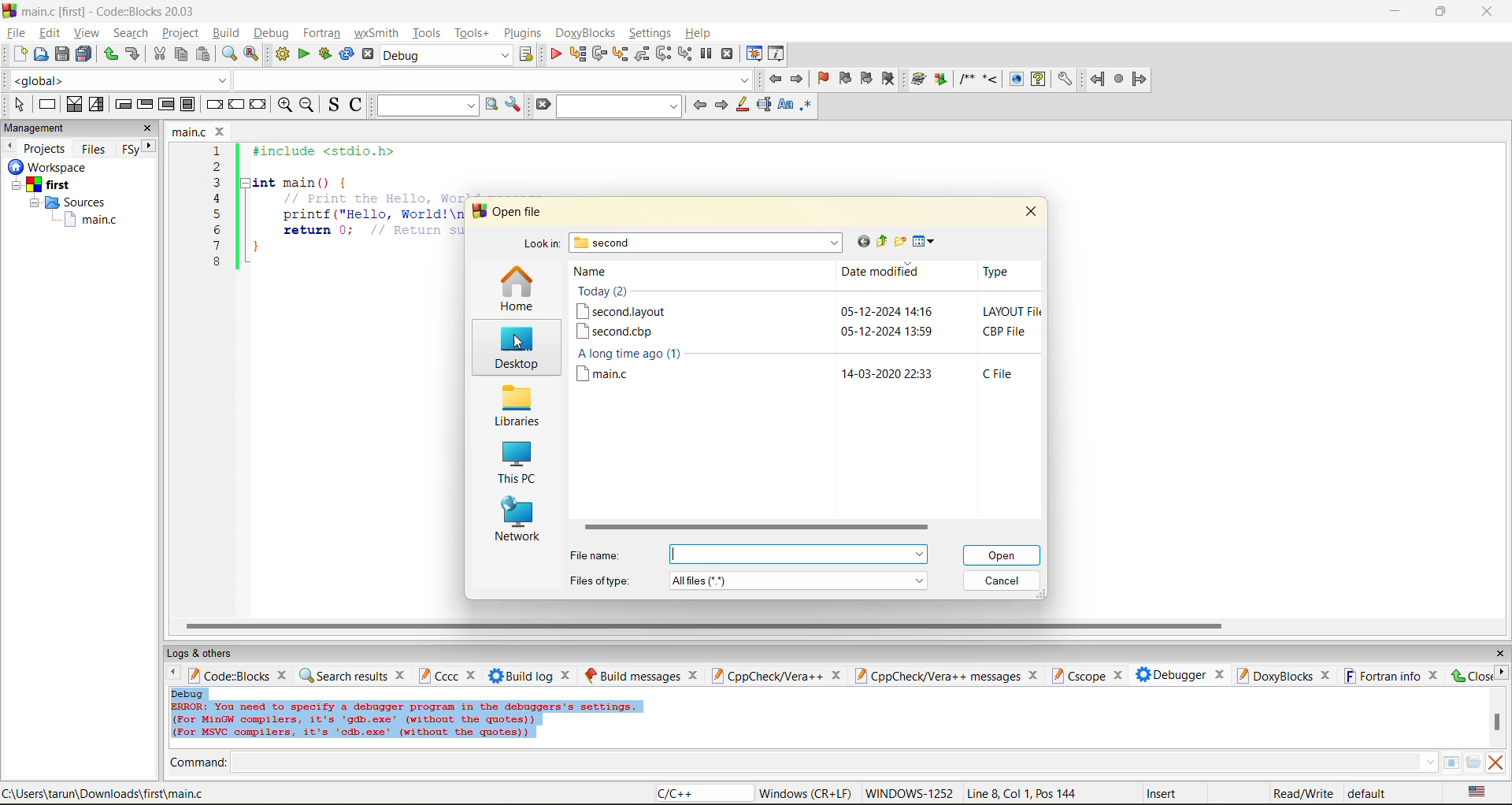 Image resolution: width=1512 pixels, height=805 pixels. I want to click on cancel, so click(1003, 581).